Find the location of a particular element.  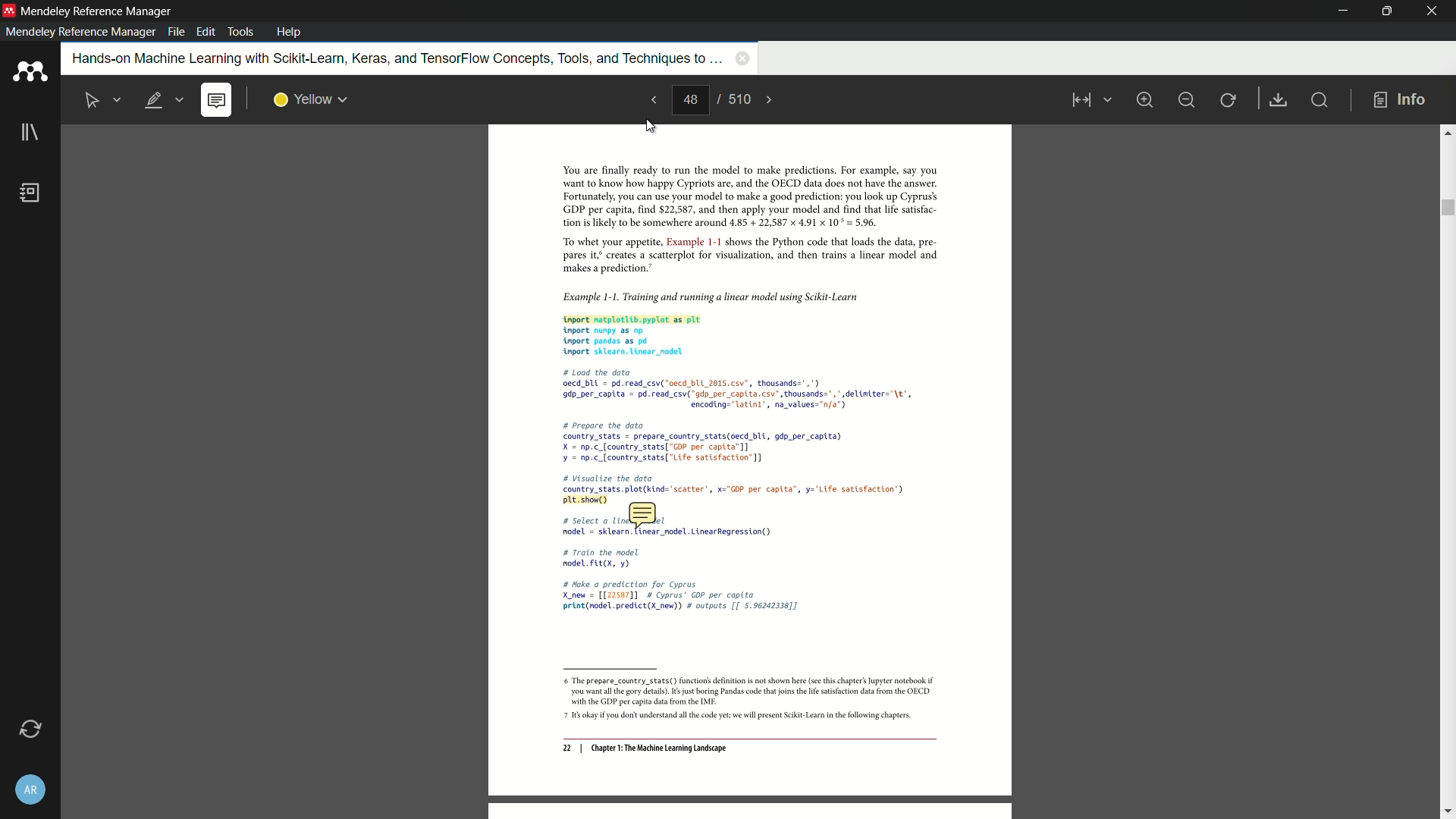

view mode is located at coordinates (1089, 100).